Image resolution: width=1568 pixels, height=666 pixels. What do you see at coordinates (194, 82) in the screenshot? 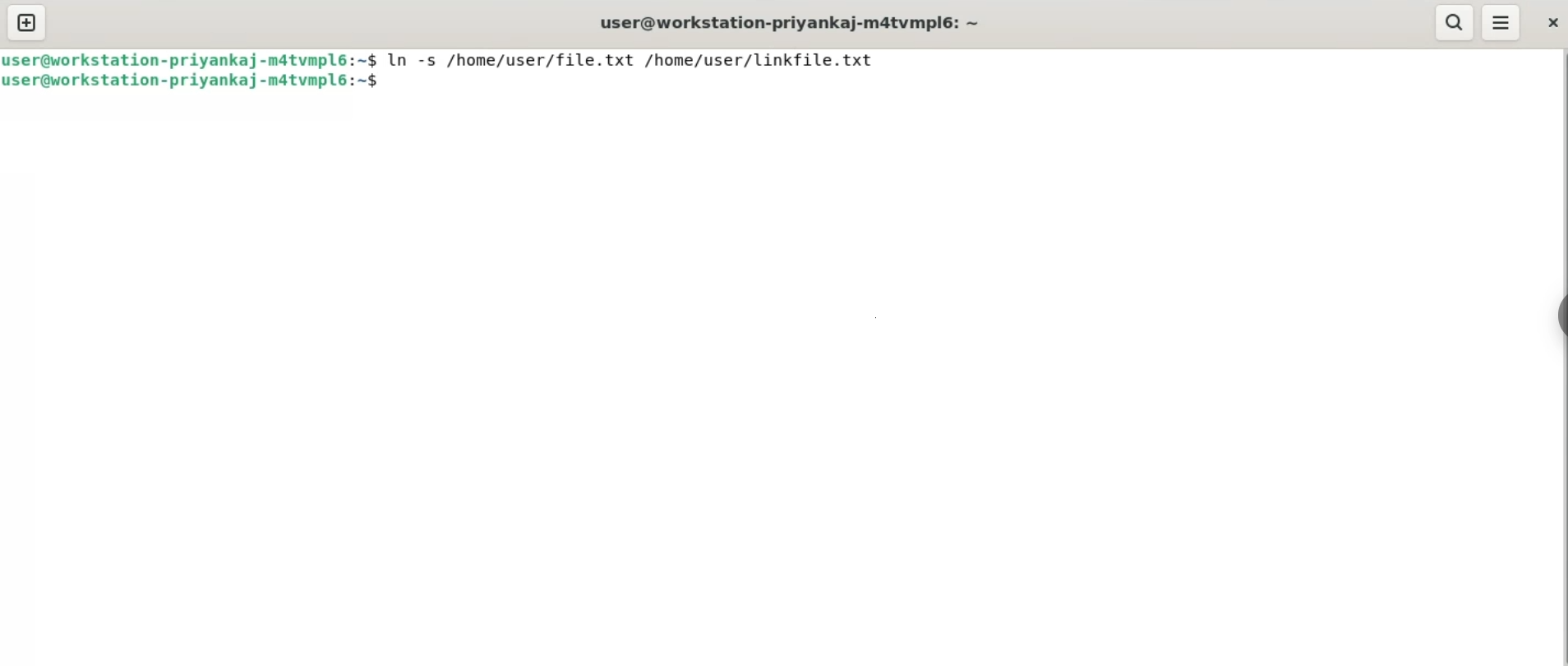
I see ` user@workstation-priyanka-m4tvmpl6:~$` at bounding box center [194, 82].